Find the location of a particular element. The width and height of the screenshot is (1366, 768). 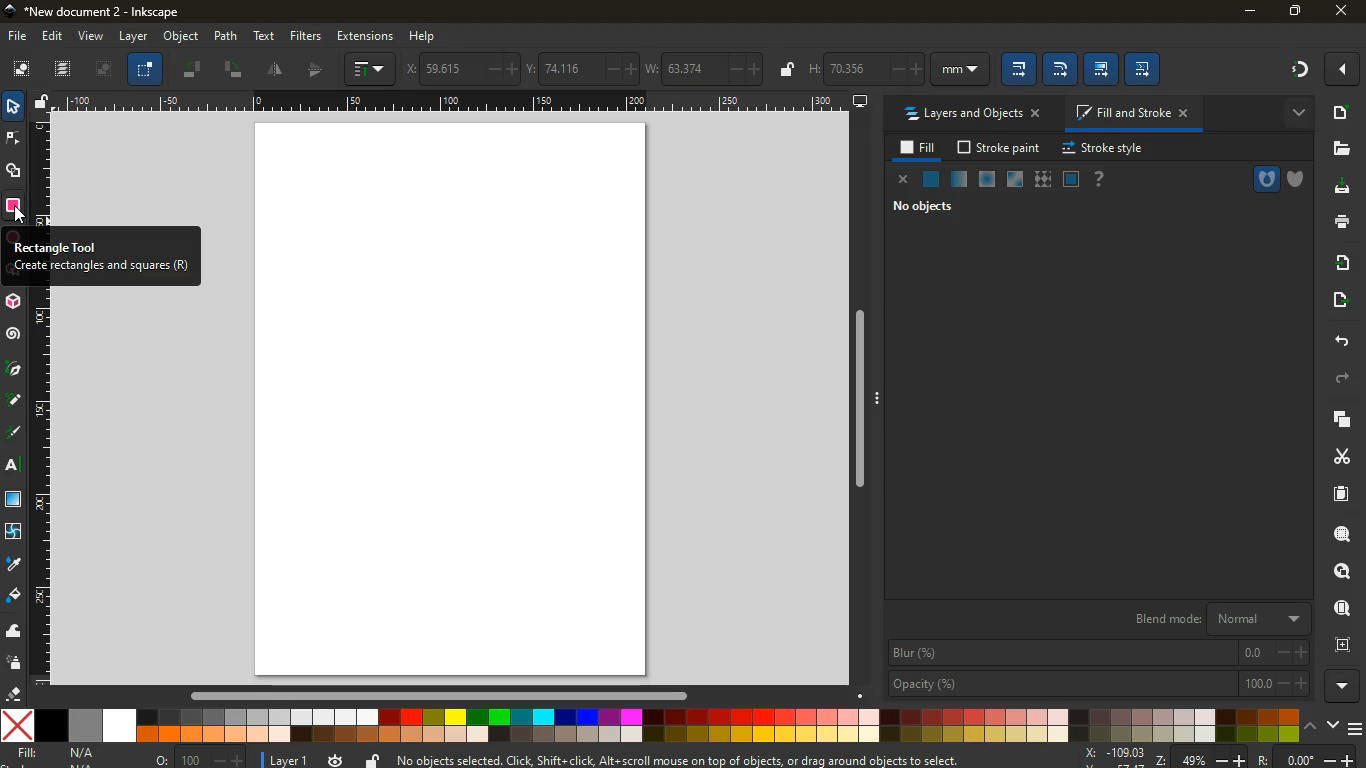

y is located at coordinates (583, 67).